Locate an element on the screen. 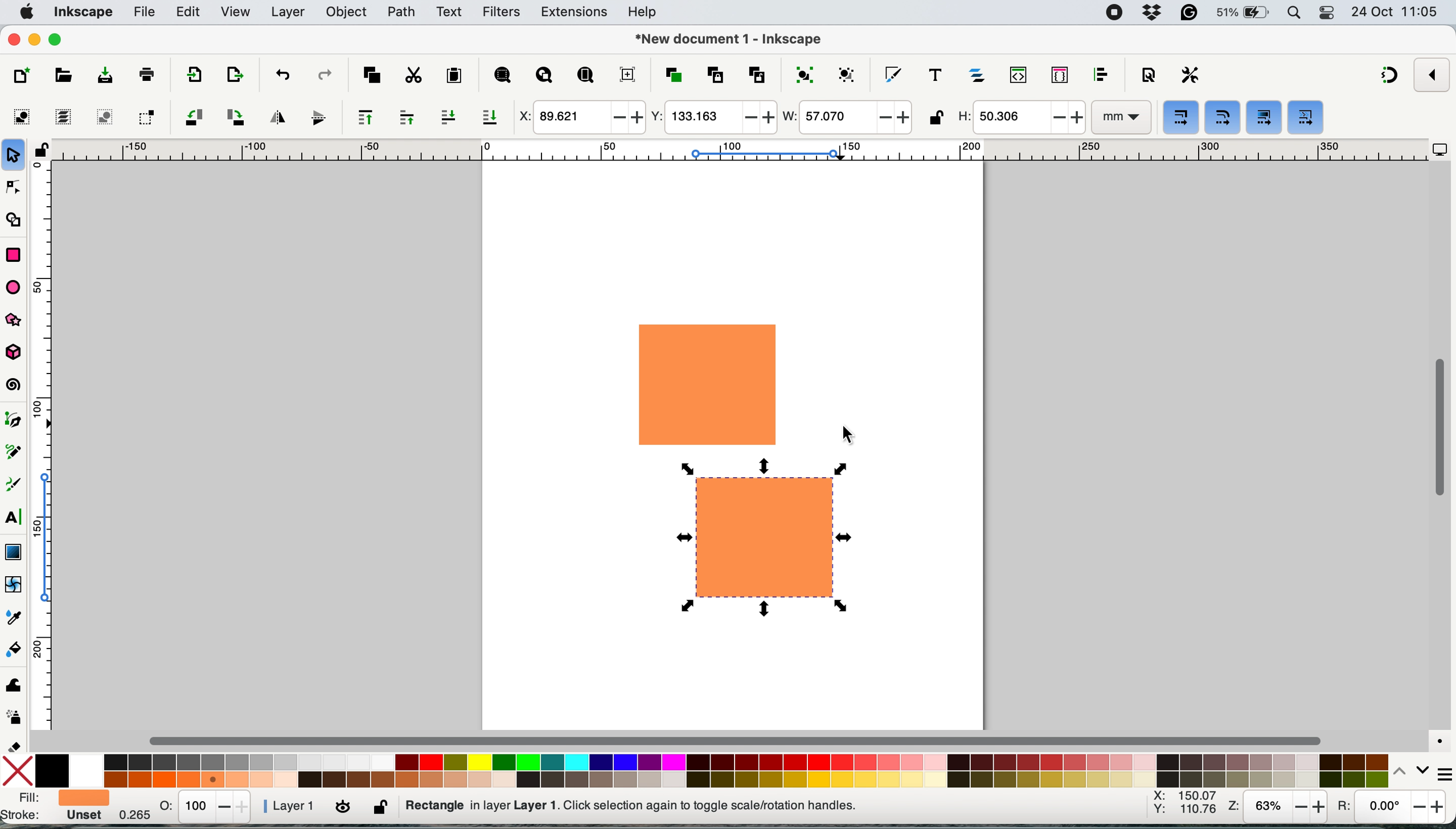 The image size is (1456, 829). calligraphy tool is located at coordinates (15, 485).